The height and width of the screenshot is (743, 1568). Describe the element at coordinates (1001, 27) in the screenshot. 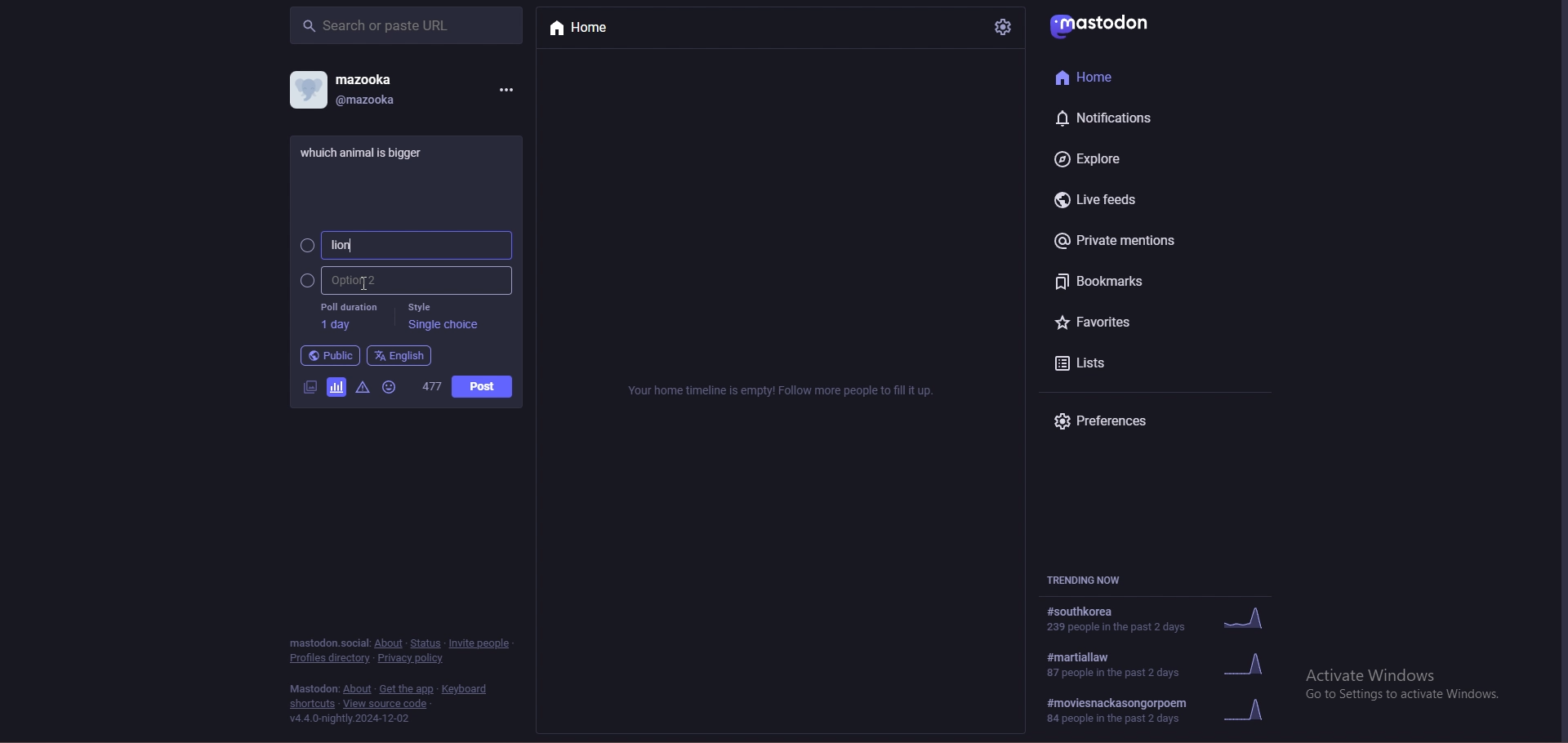

I see `settings` at that location.